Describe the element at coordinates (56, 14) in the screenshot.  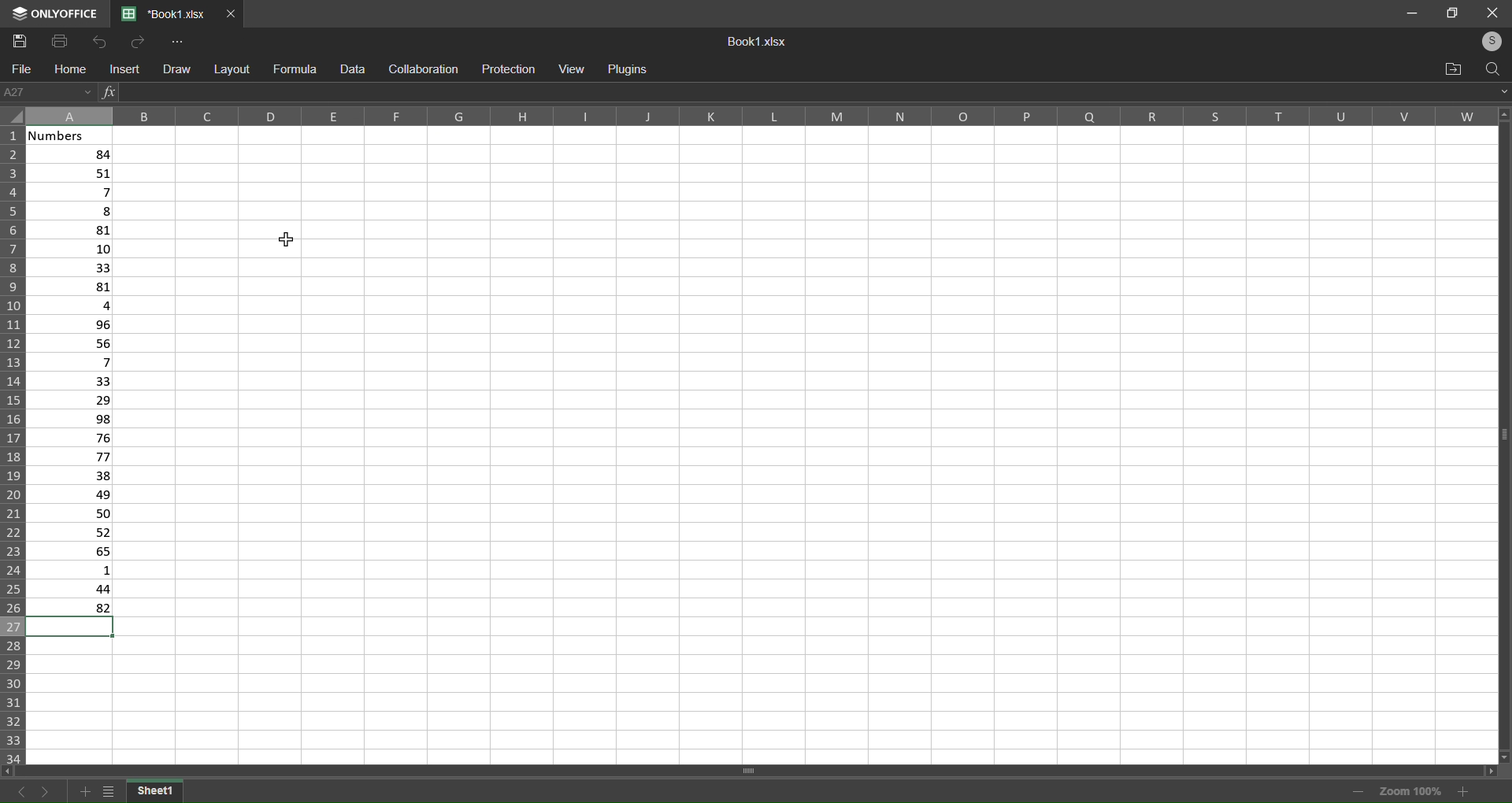
I see `Logo` at that location.